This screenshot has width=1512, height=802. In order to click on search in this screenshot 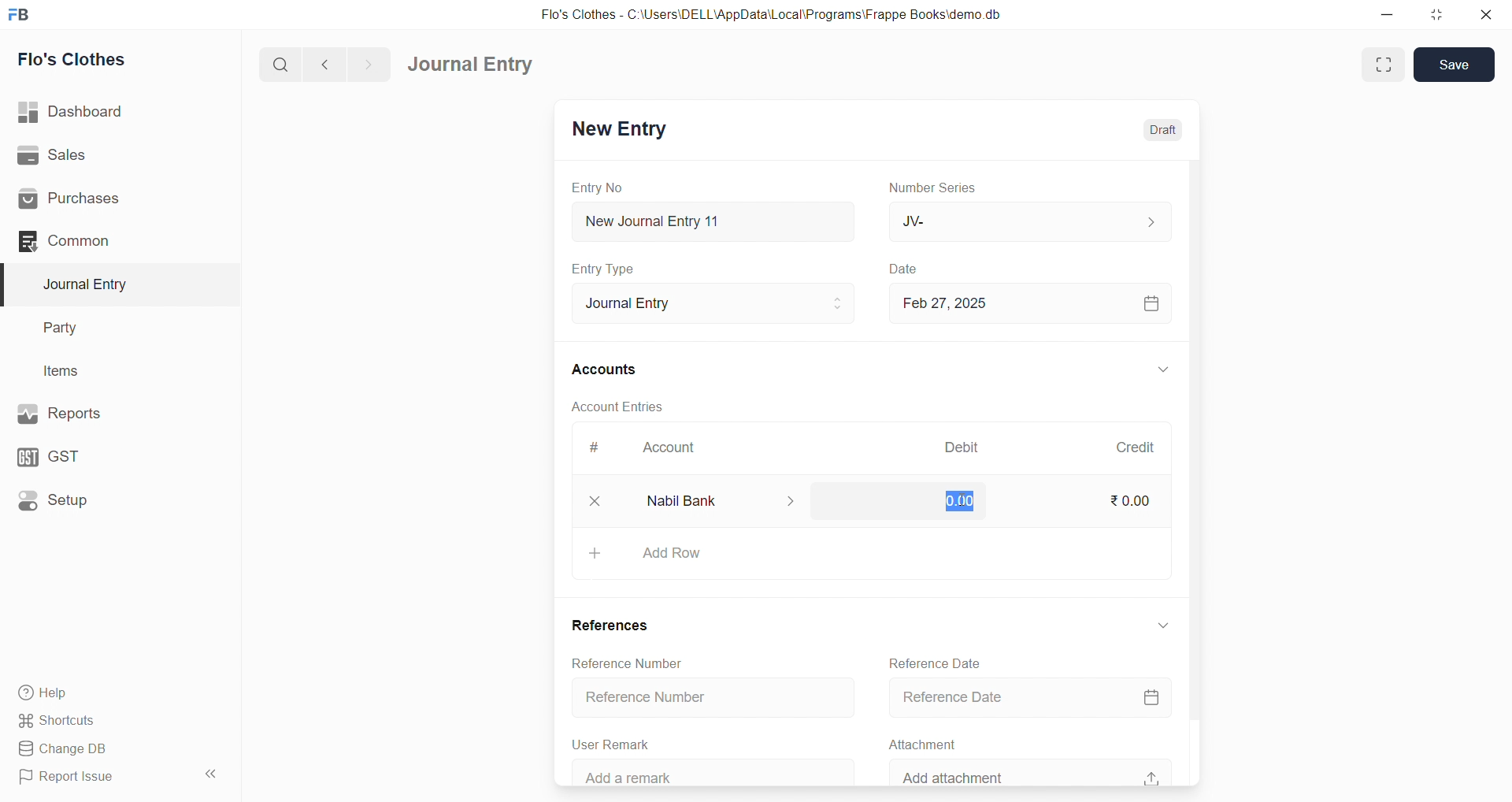, I will do `click(278, 66)`.